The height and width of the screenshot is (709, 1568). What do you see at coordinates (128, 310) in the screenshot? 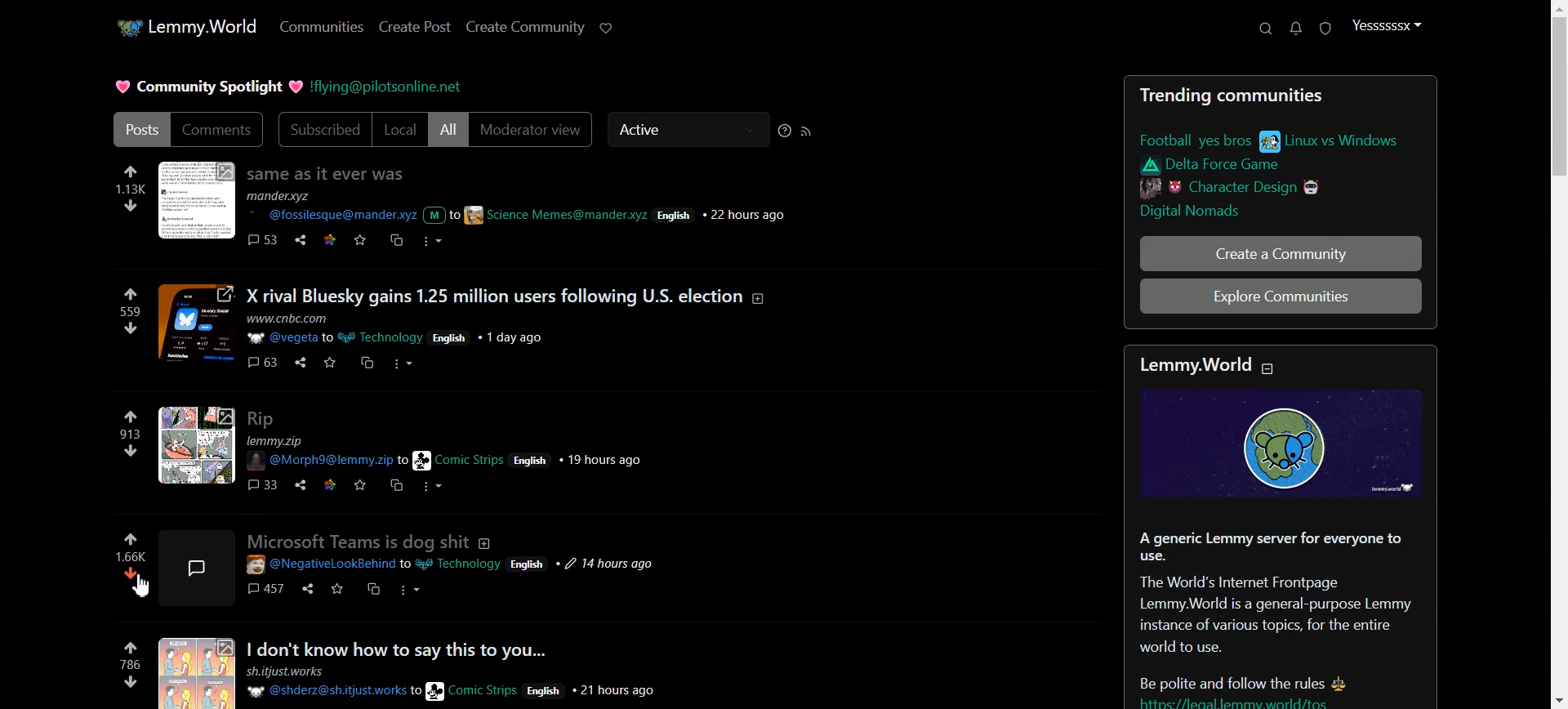
I see `559` at bounding box center [128, 310].